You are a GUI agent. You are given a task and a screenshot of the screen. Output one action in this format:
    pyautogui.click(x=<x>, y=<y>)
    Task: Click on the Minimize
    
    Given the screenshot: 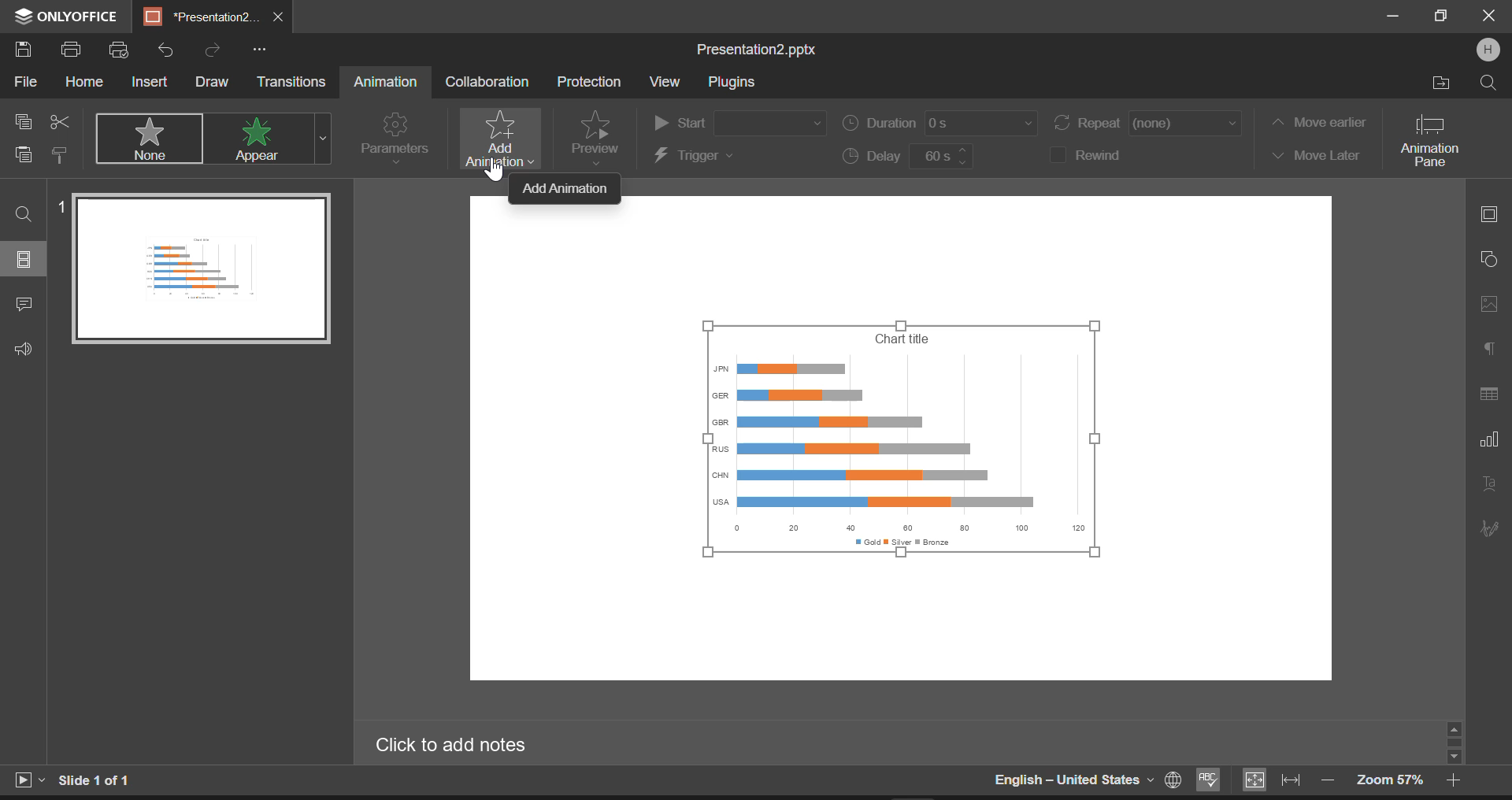 What is the action you would take?
    pyautogui.click(x=1443, y=17)
    